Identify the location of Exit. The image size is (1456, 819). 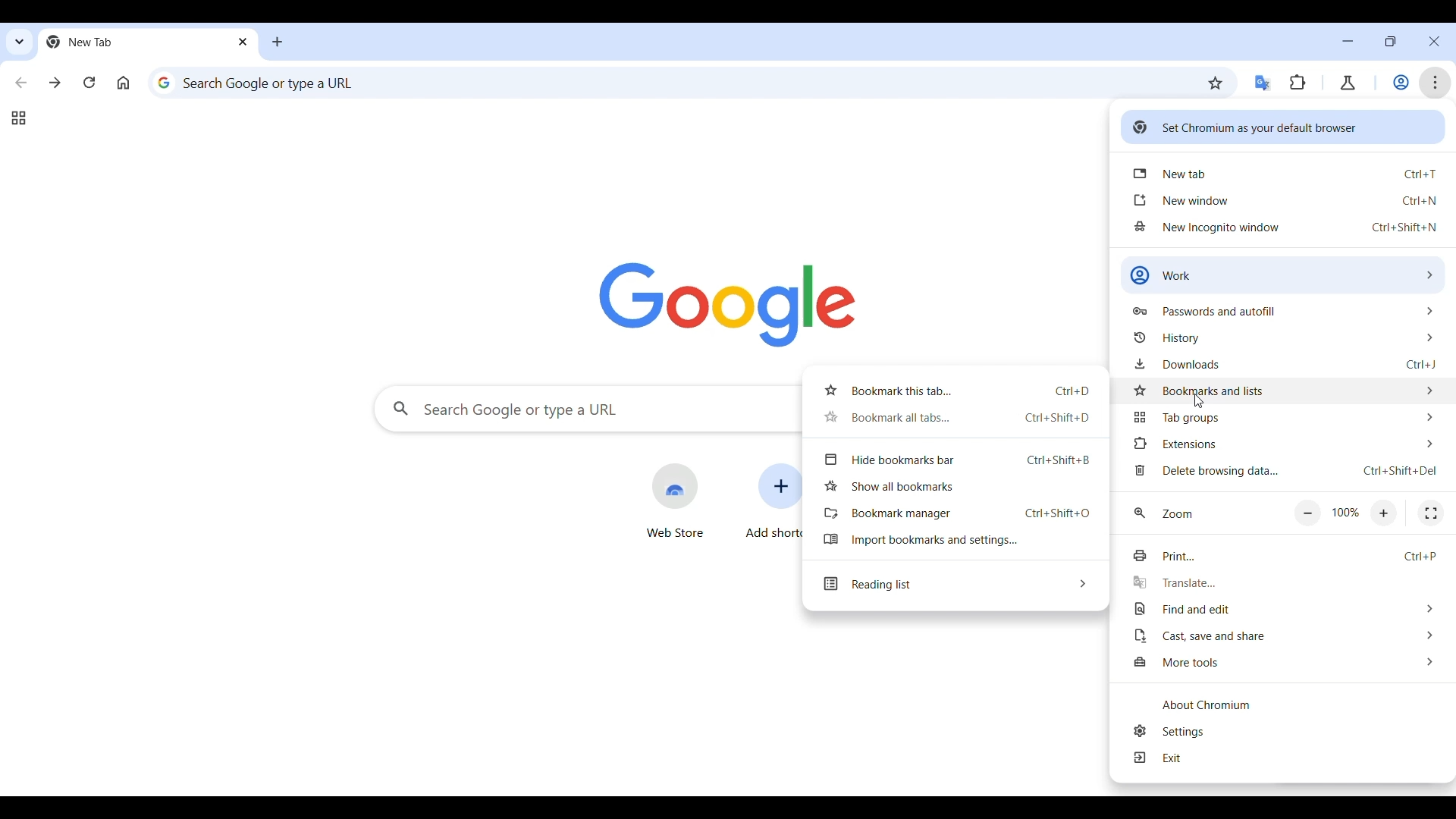
(1285, 758).